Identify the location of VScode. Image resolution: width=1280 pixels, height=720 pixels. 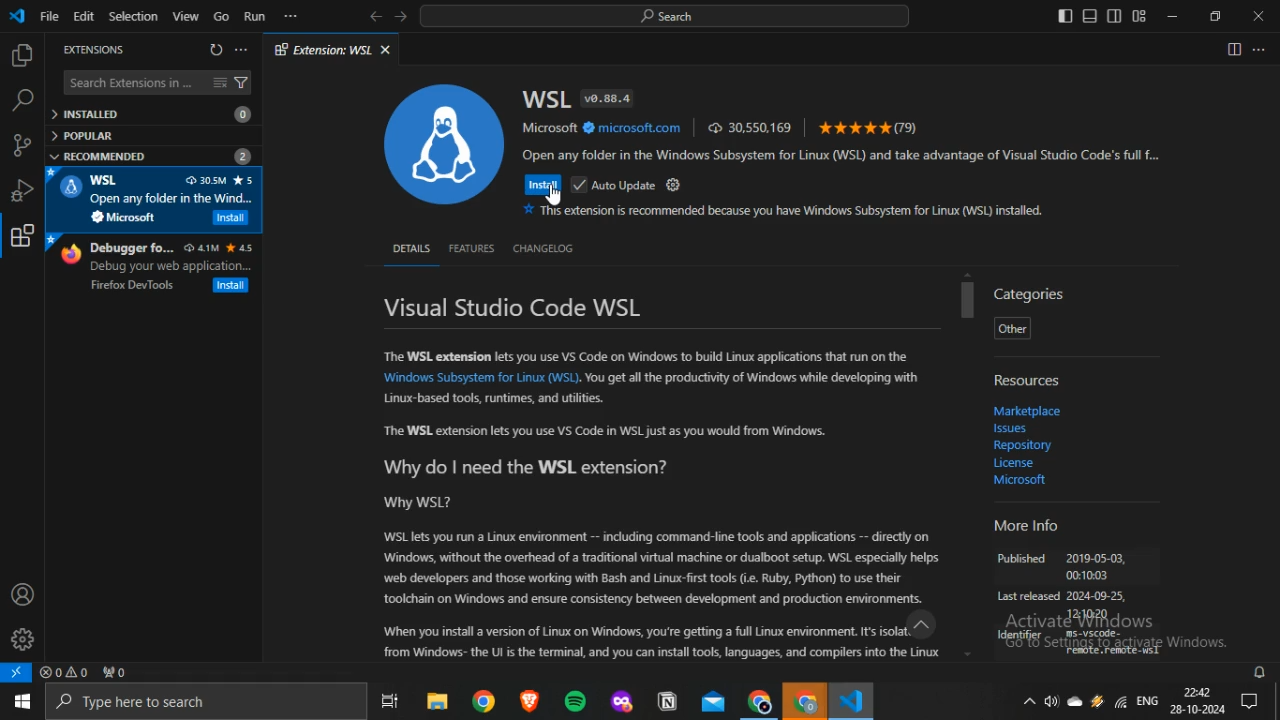
(850, 700).